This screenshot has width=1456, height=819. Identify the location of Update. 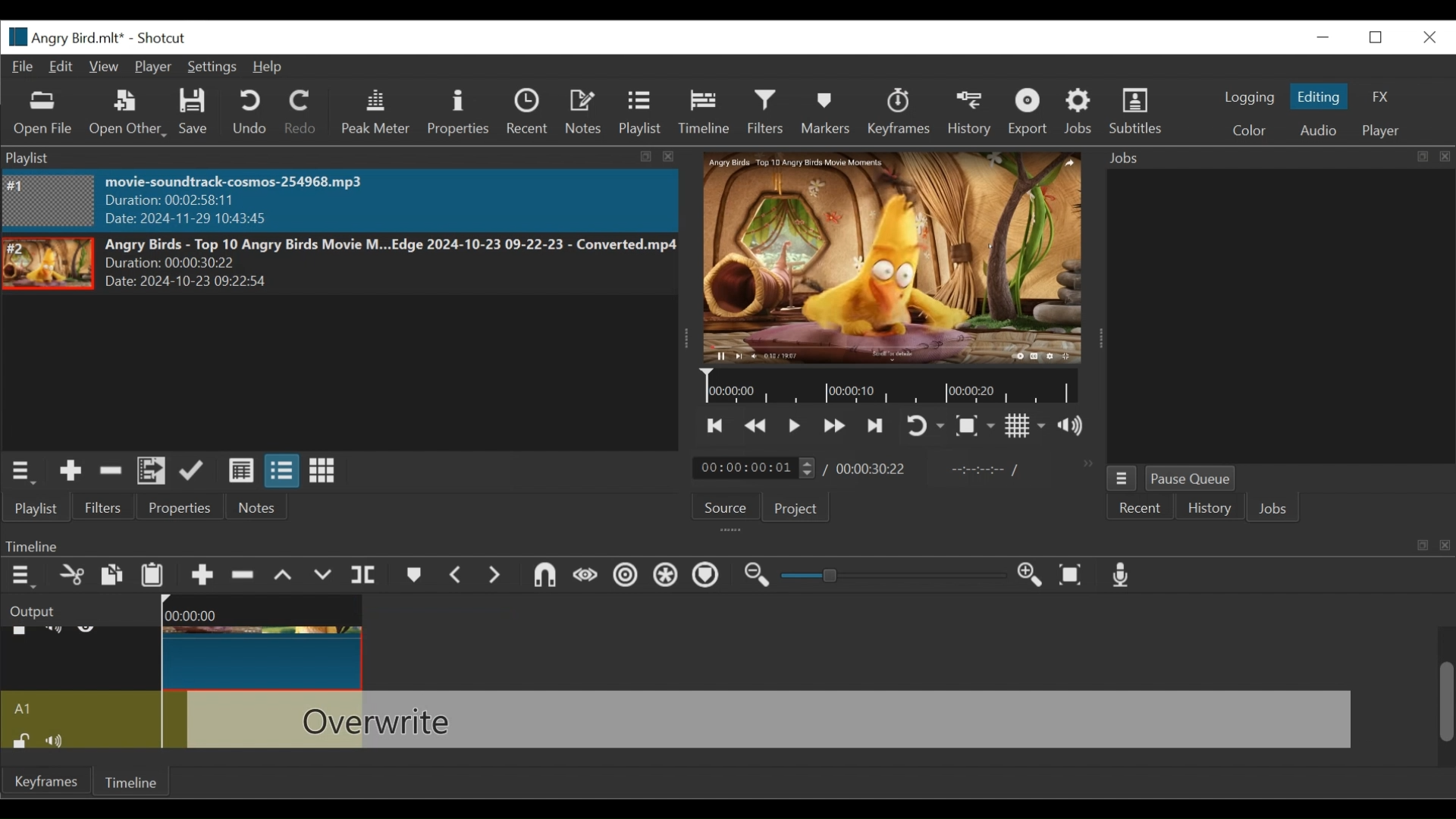
(196, 471).